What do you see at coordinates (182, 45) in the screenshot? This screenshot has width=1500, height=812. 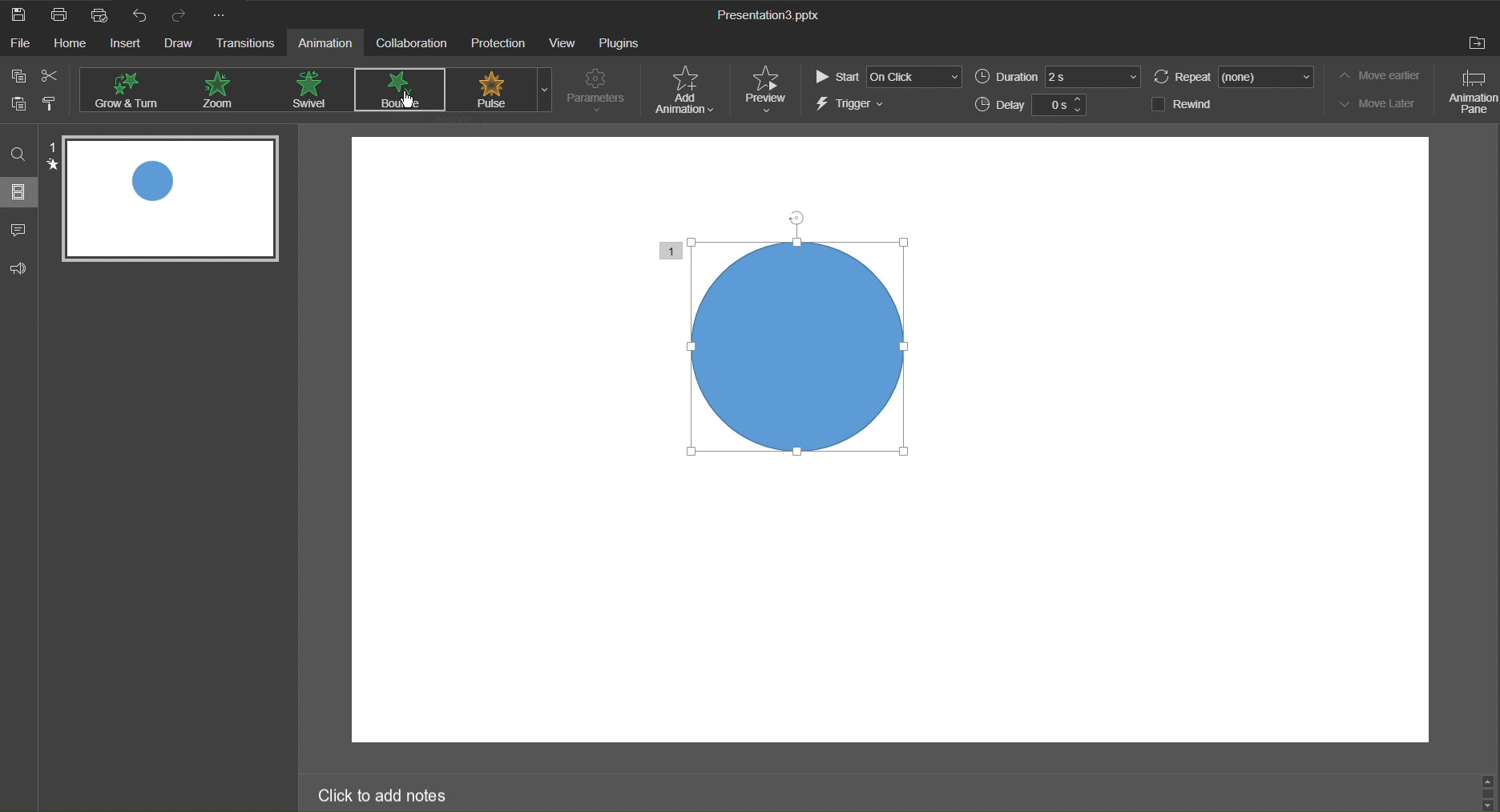 I see `Draw` at bounding box center [182, 45].